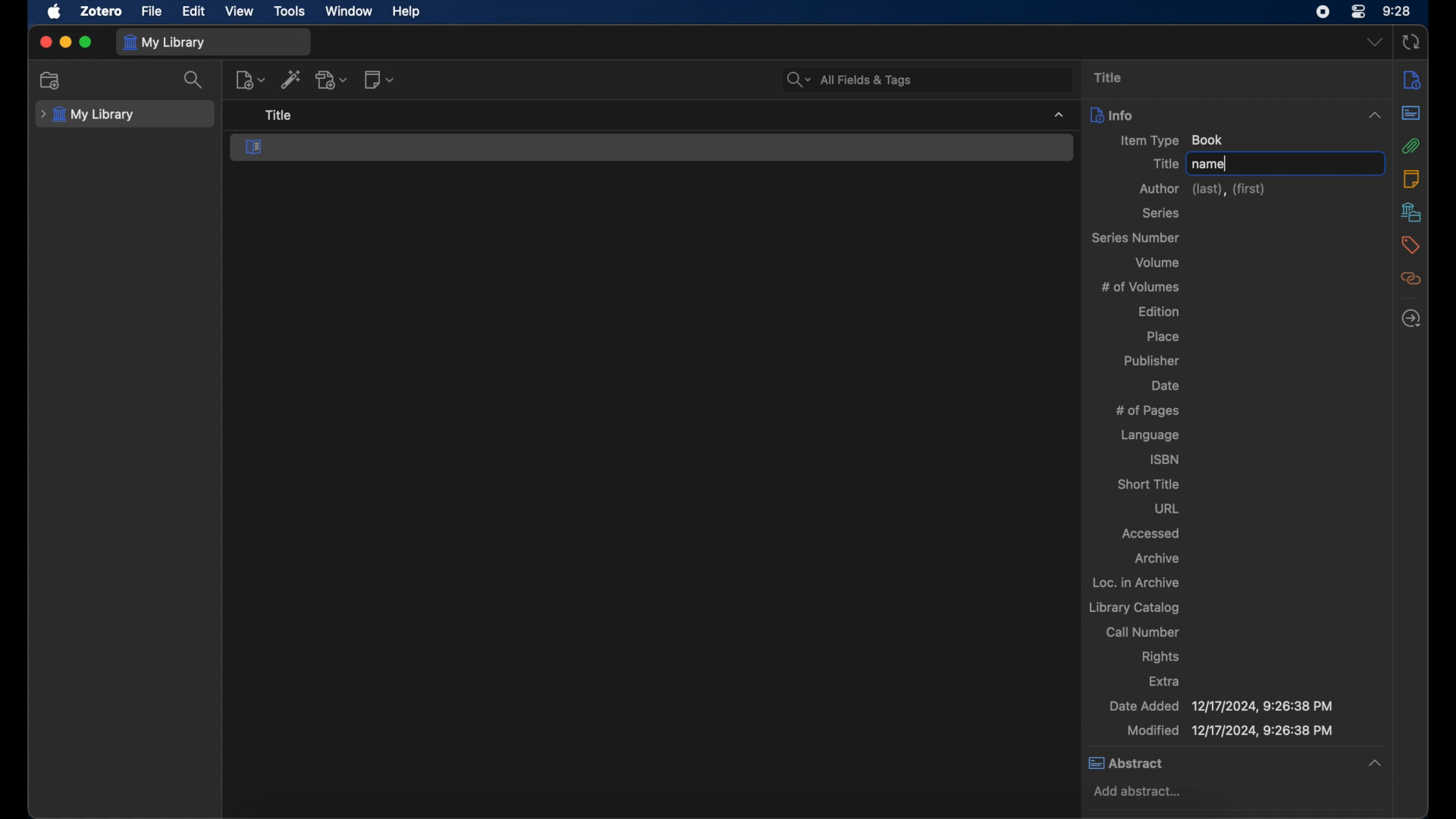  Describe the element at coordinates (1411, 318) in the screenshot. I see `locate` at that location.